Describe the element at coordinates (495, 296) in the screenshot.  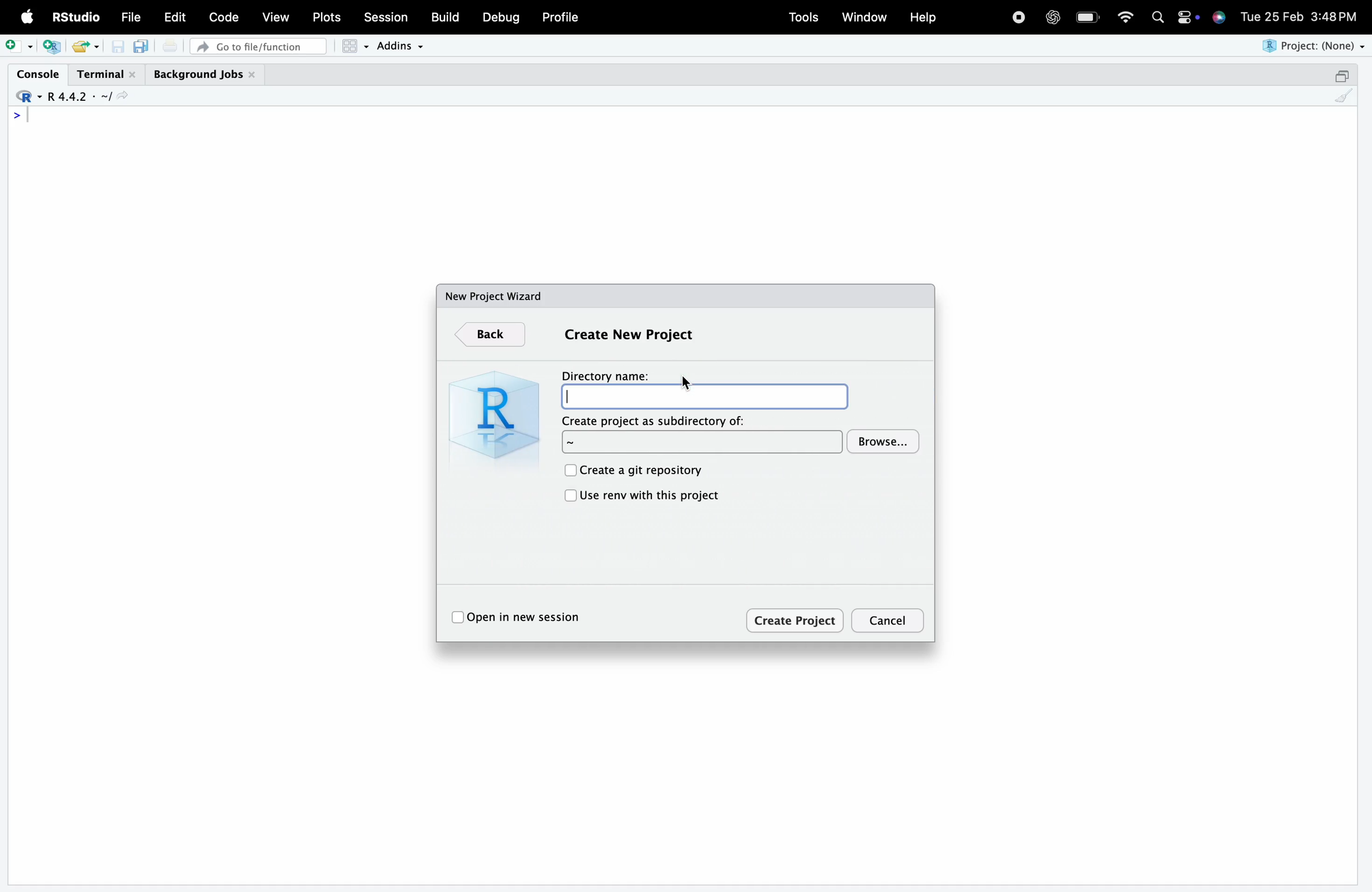
I see `New Project Wizard` at that location.